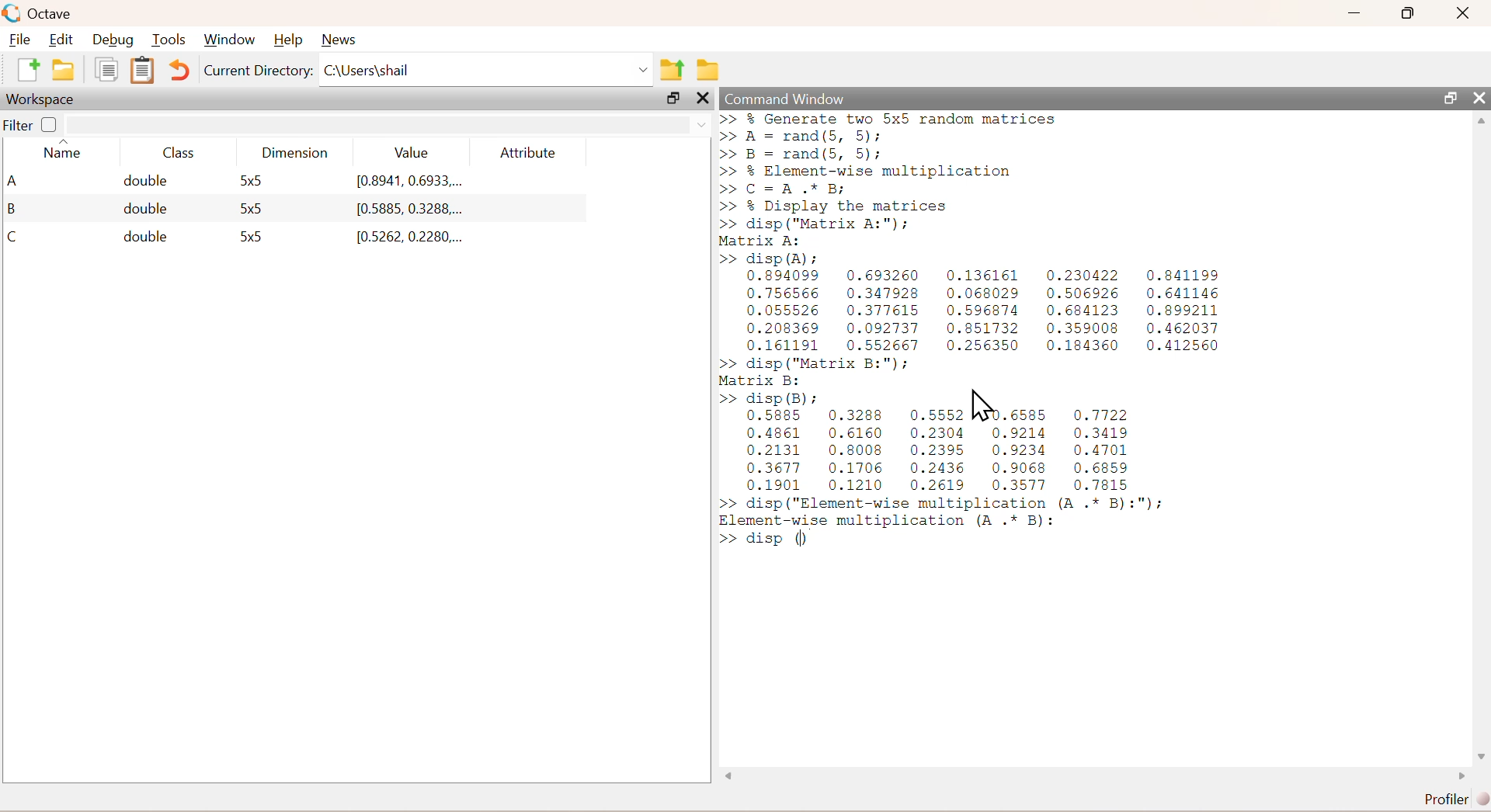  I want to click on Octave, so click(41, 13).